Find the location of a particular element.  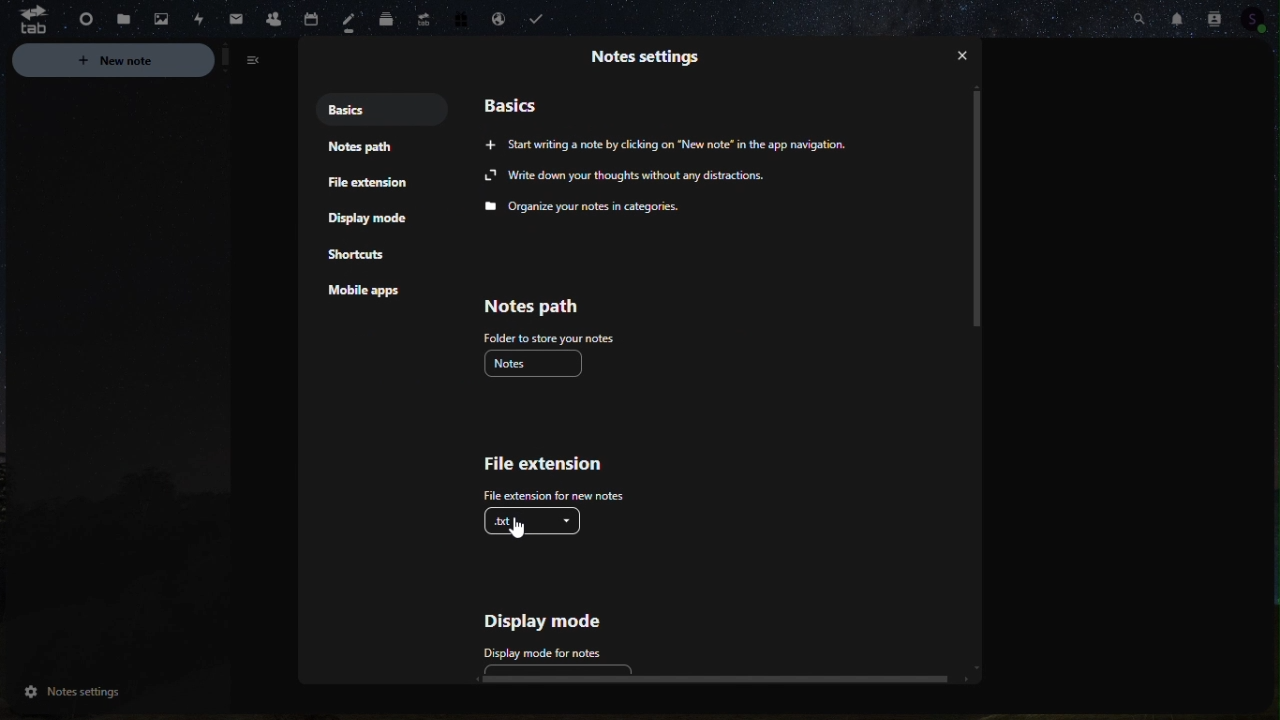

folder to store your notes is located at coordinates (549, 338).